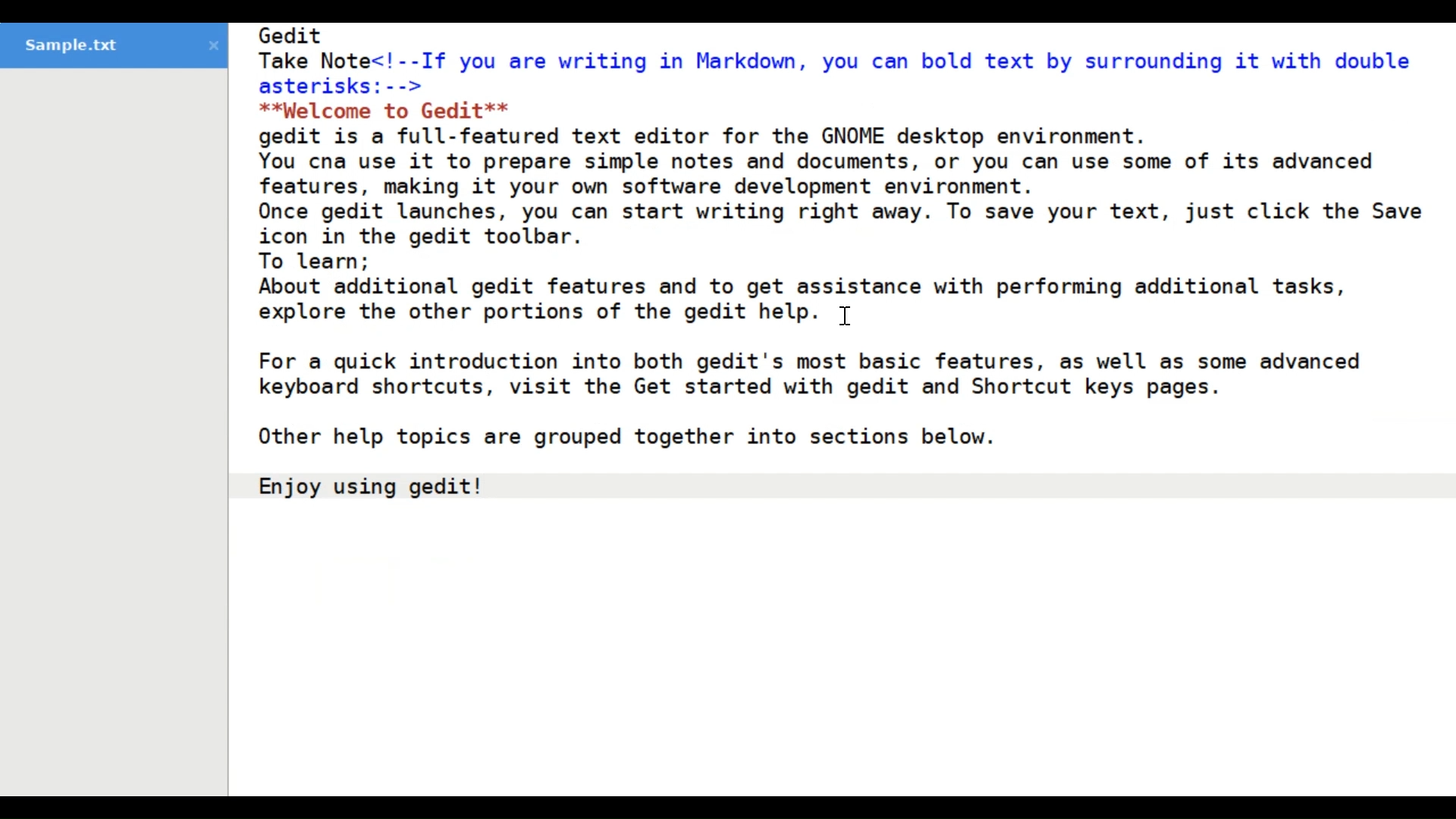 This screenshot has height=819, width=1456. I want to click on Gedit  Take Note<!--If you are writing in Markdown, you can bold text by surrounding it with double asterisks:--> **Welcome to Gedit**  gedit is a full-featured text editor for the GNOME desktop environment.  You can use it to prepare simple notes and documents, or you can use some of its advanced features, making it your own software development environment, so click(843, 409).